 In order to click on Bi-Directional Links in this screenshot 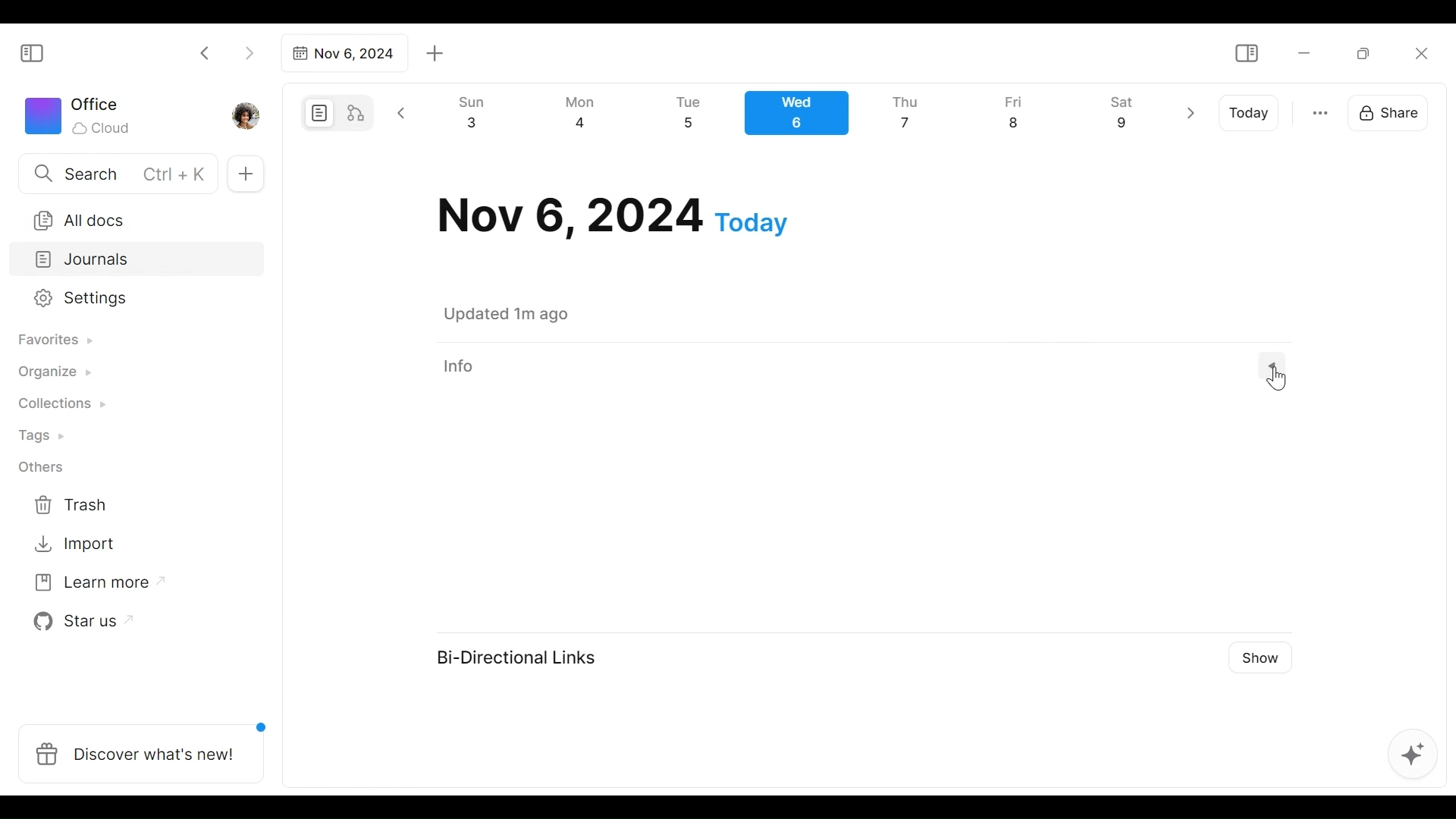, I will do `click(527, 660)`.